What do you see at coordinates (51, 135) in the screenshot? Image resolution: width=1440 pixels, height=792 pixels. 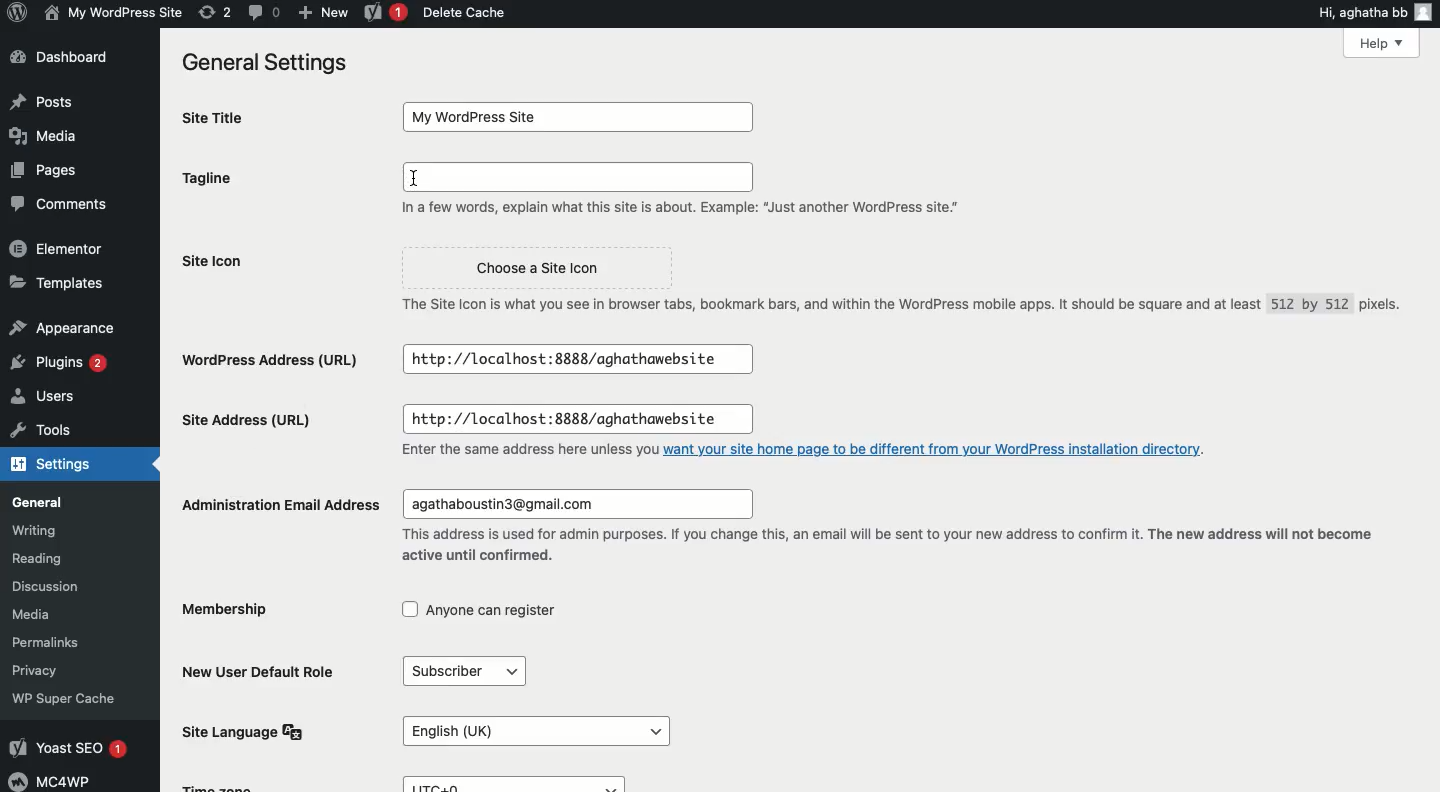 I see `Media` at bounding box center [51, 135].